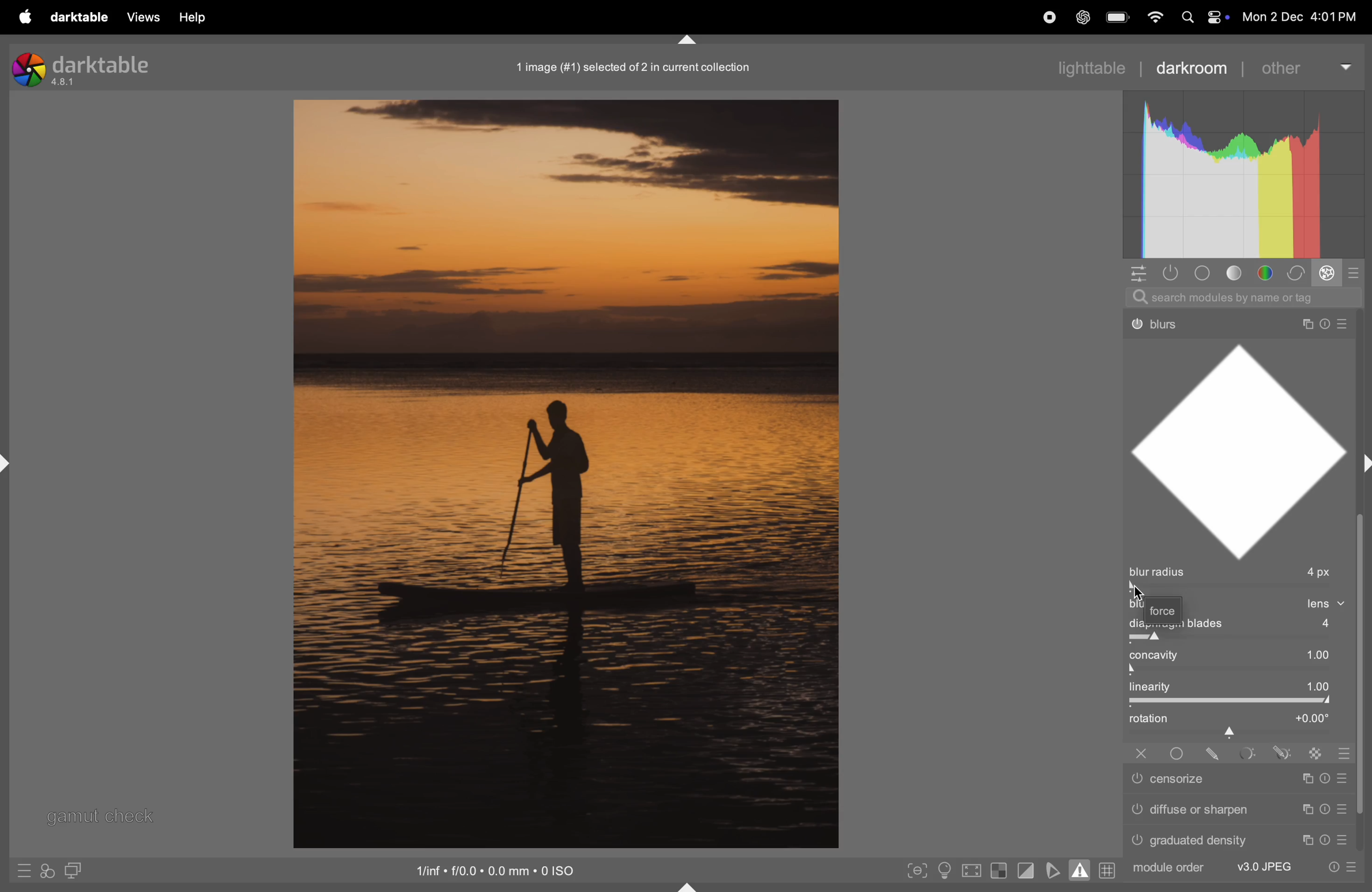 The height and width of the screenshot is (892, 1372). I want to click on acces to filters, so click(49, 870).